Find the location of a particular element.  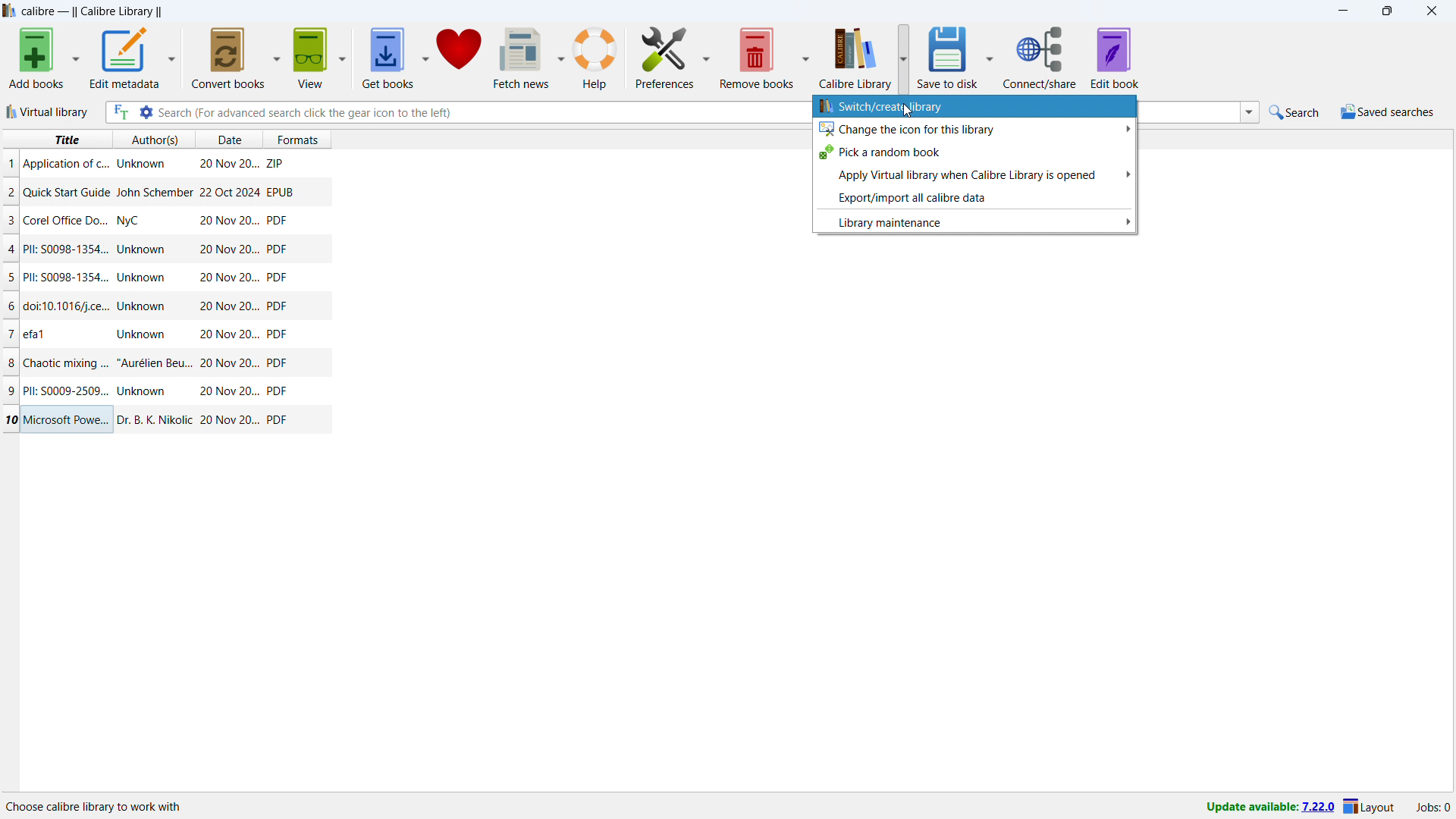

connect/share is located at coordinates (1040, 58).